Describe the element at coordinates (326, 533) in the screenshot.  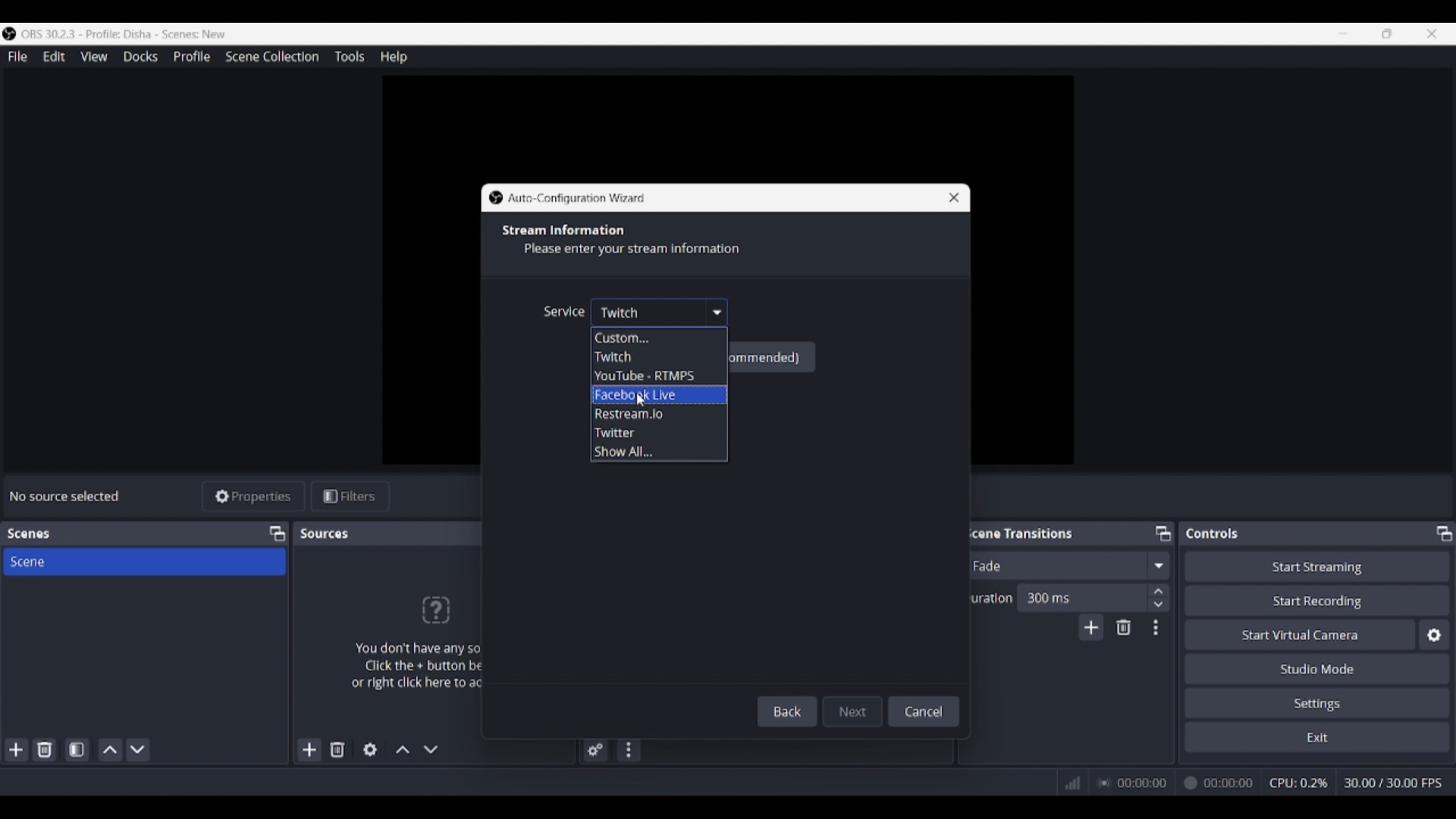
I see `Panel title` at that location.